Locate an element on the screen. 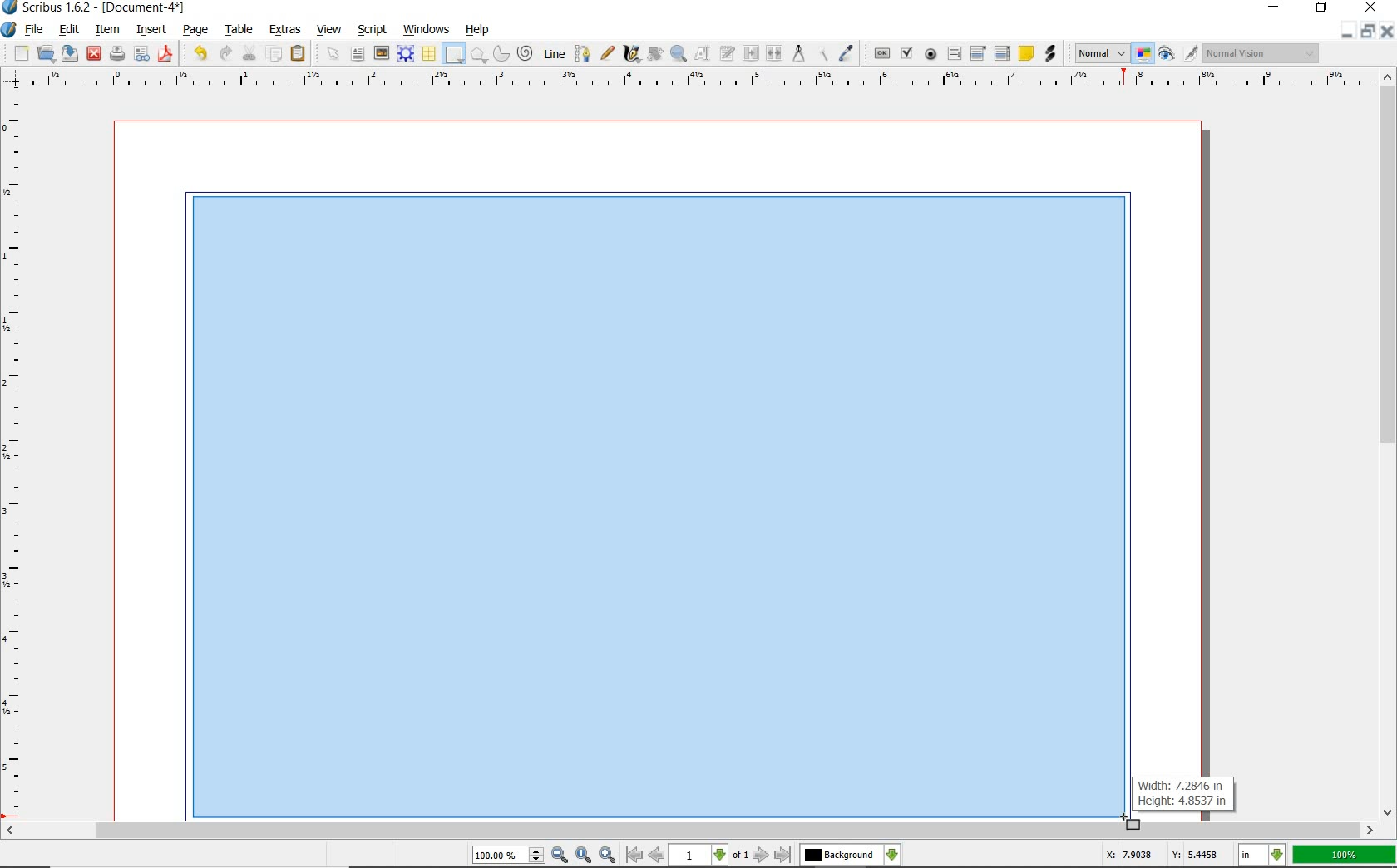  zoom in or zoom out is located at coordinates (678, 55).